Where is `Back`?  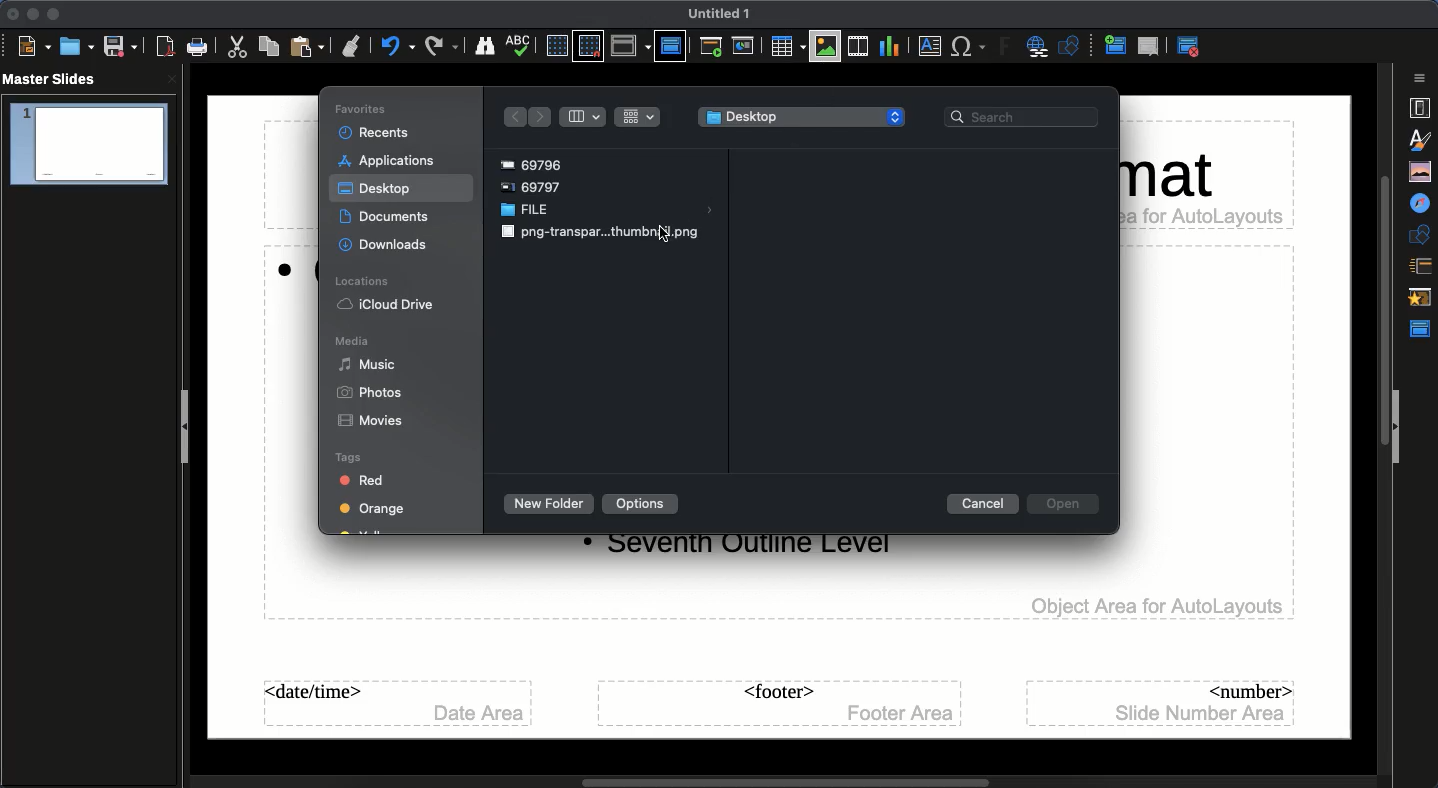
Back is located at coordinates (511, 117).